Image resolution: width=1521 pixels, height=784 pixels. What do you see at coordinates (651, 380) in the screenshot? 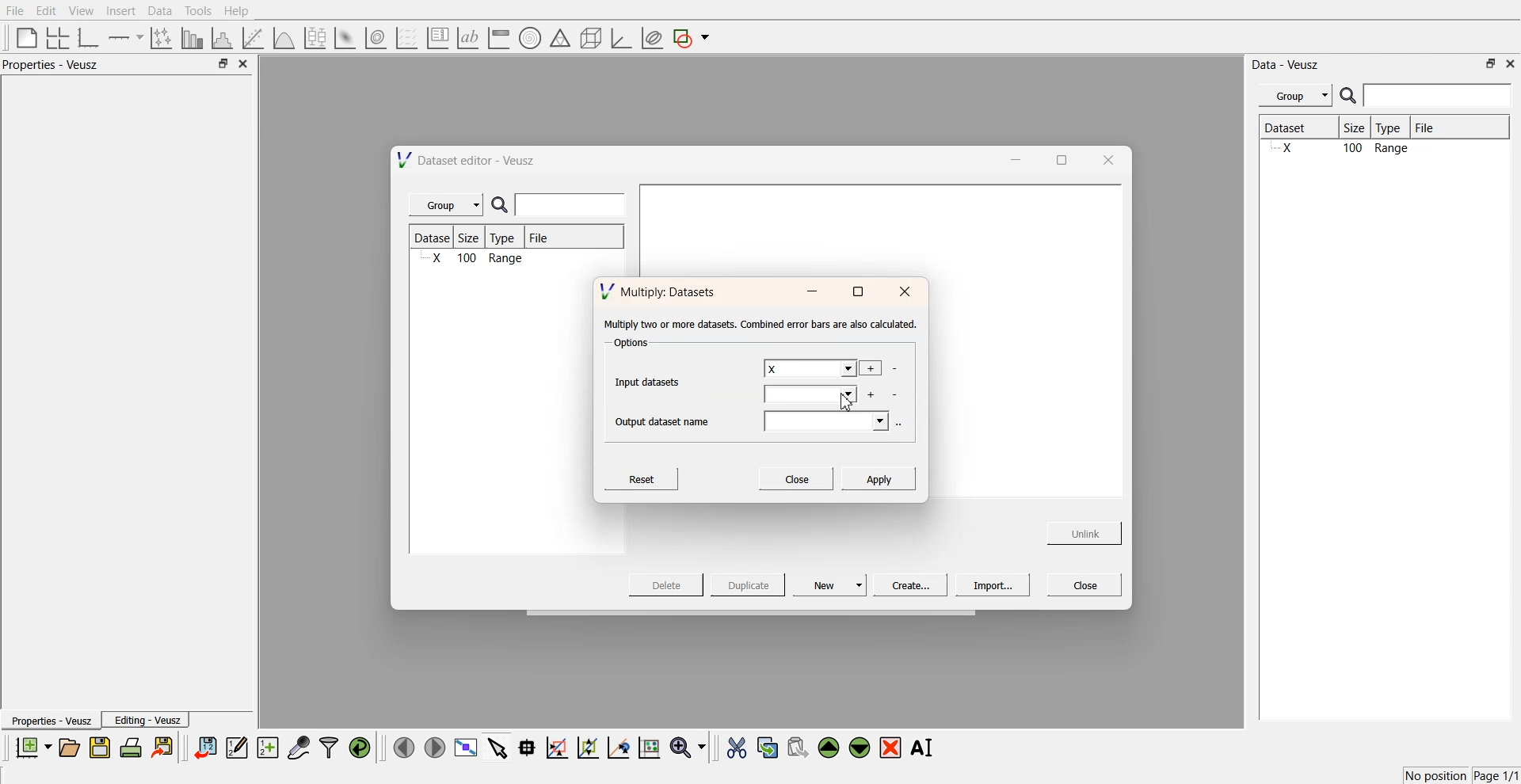
I see `Input datasets` at bounding box center [651, 380].